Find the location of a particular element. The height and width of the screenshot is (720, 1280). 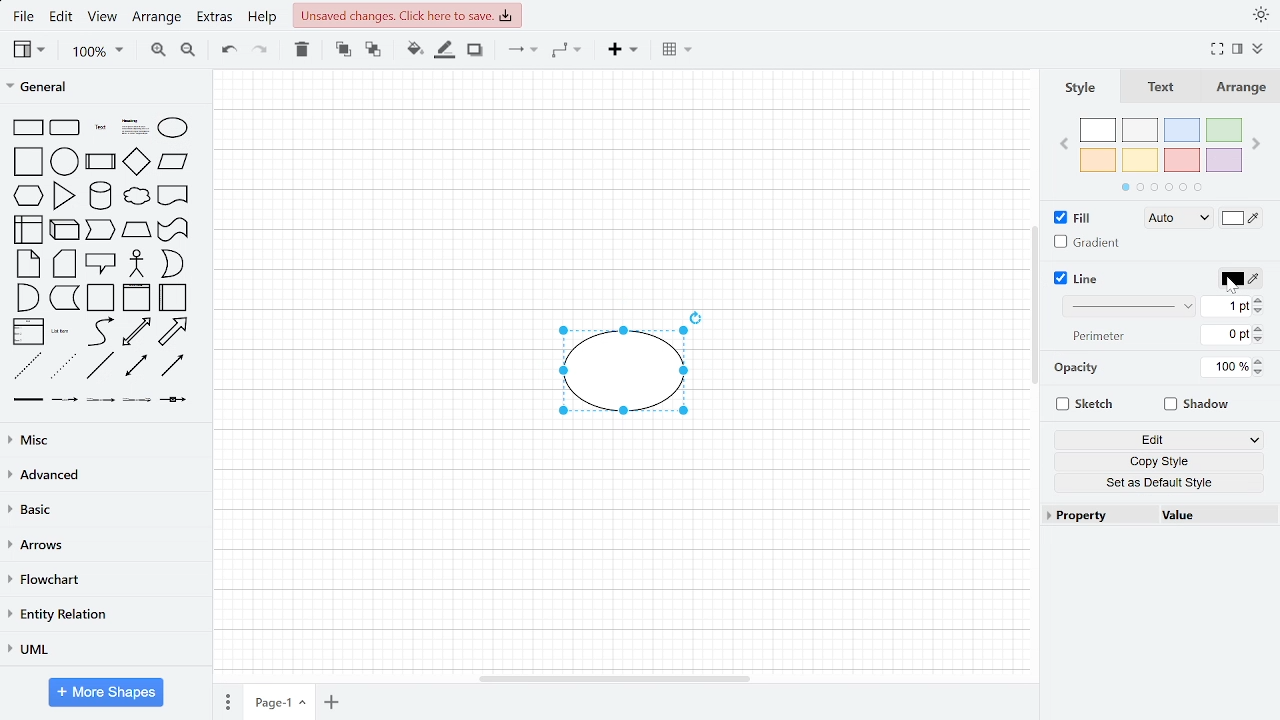

connector with symbol is located at coordinates (173, 402).